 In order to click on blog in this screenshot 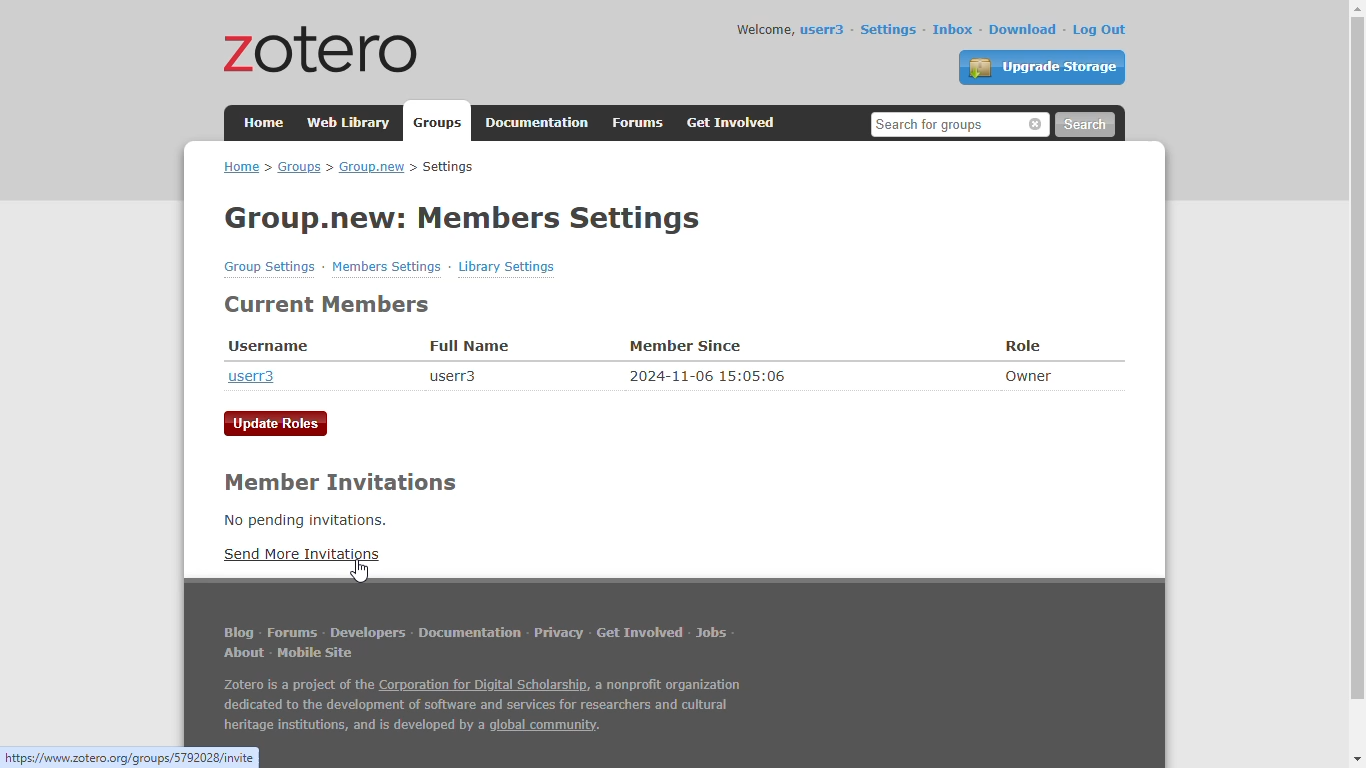, I will do `click(238, 633)`.